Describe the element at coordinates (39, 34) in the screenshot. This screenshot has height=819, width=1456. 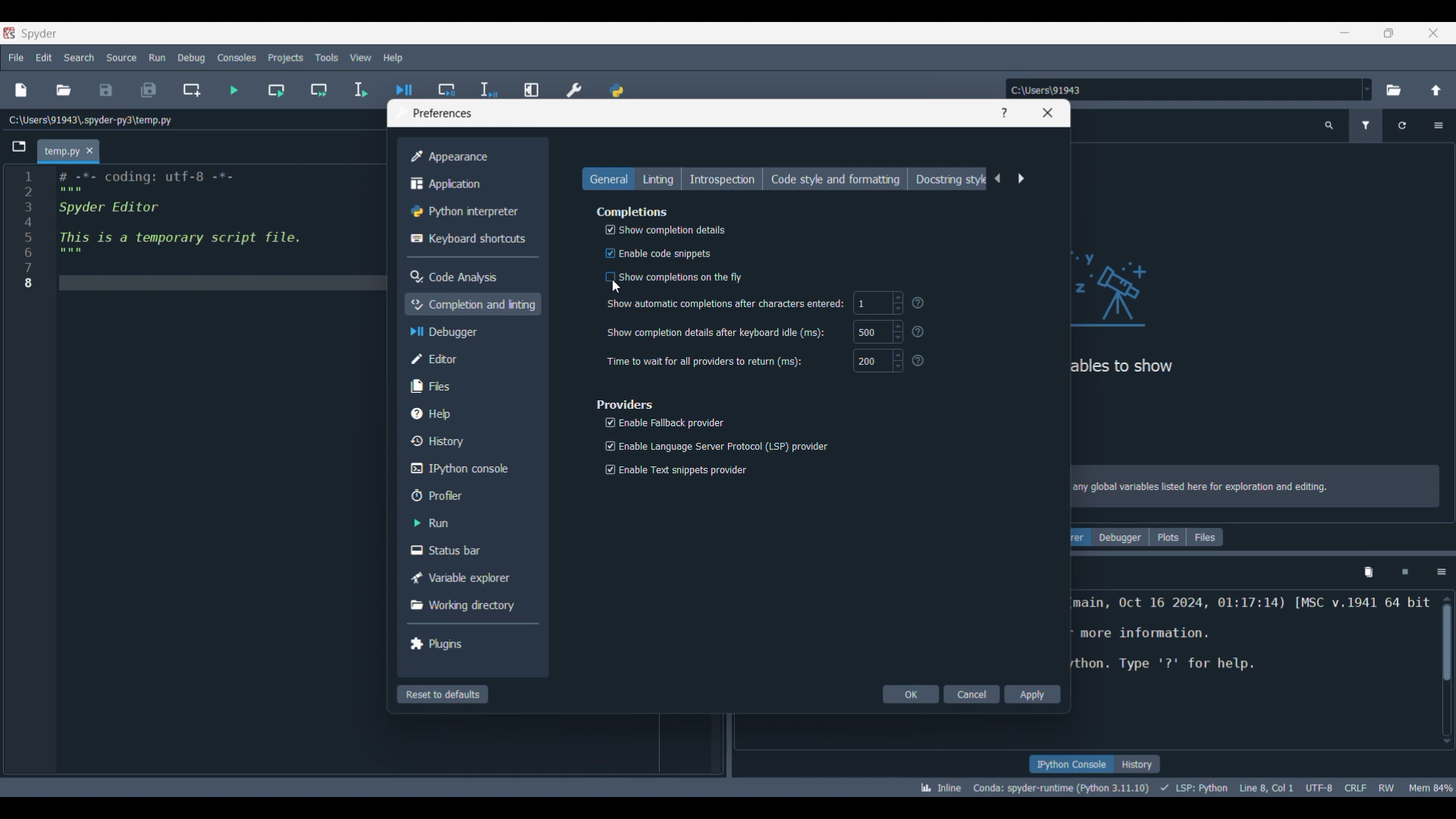
I see `Software name` at that location.